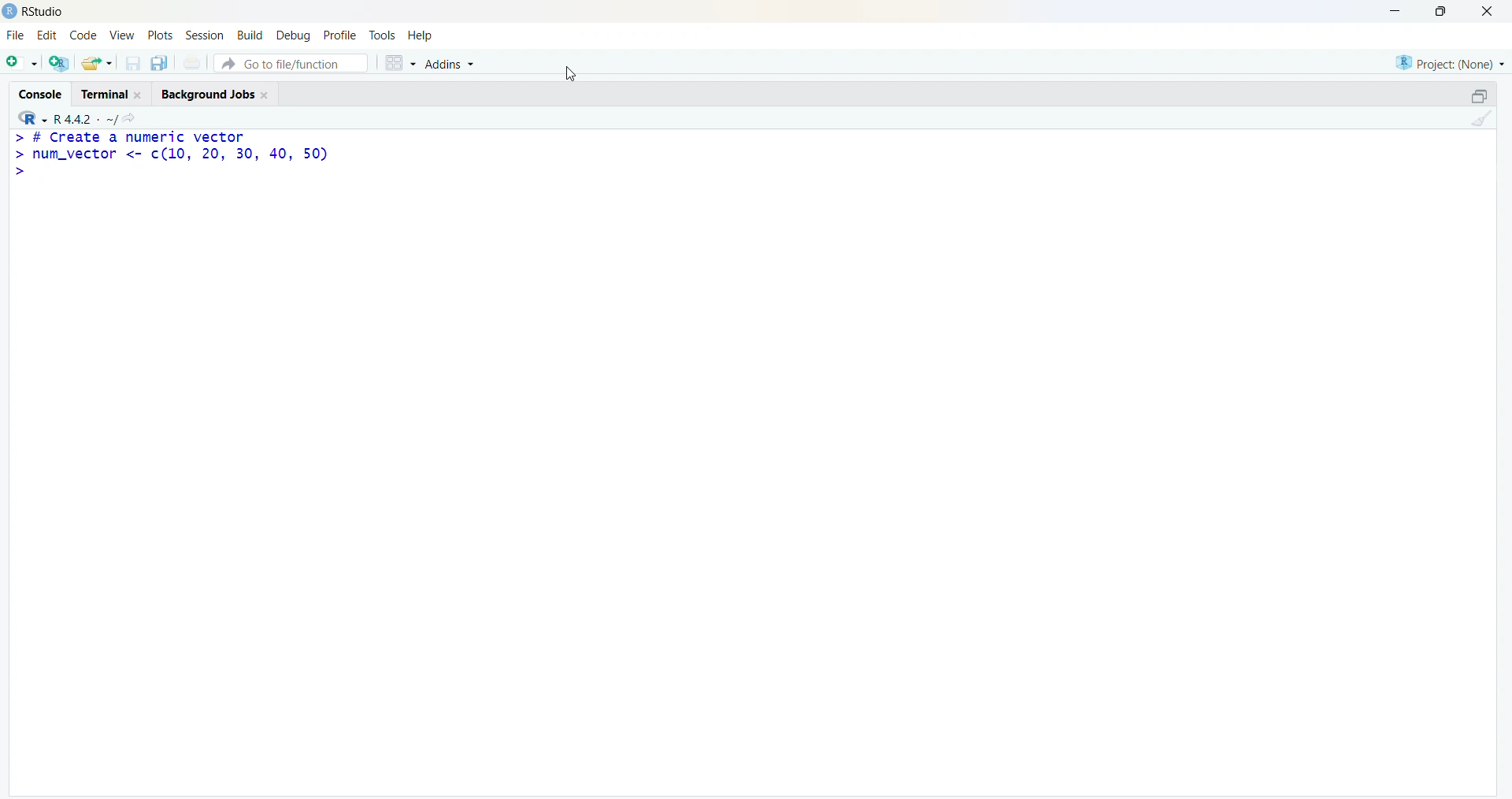 Image resolution: width=1512 pixels, height=799 pixels. Describe the element at coordinates (139, 95) in the screenshot. I see `close` at that location.